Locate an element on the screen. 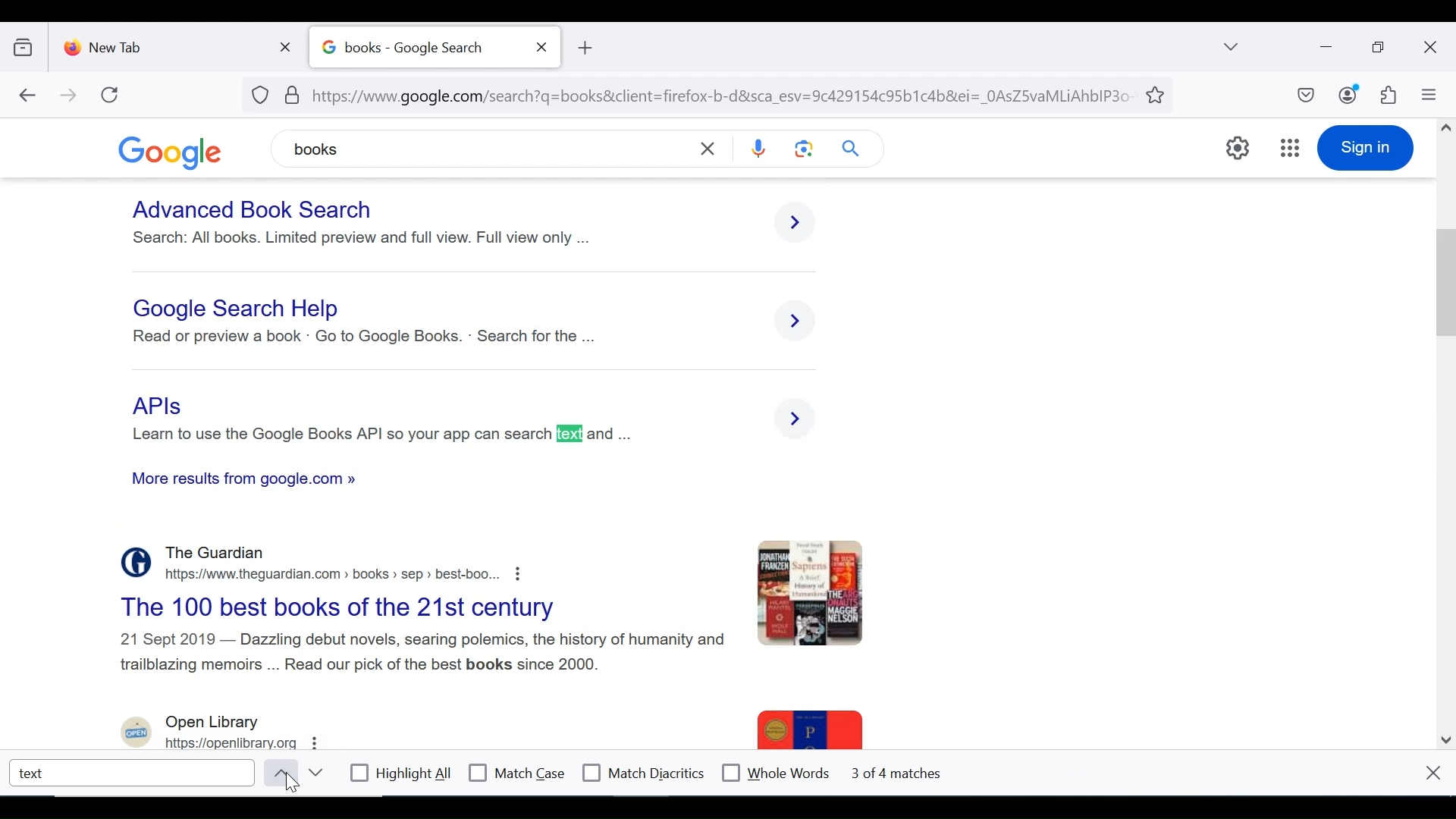 The height and width of the screenshot is (819, 1456).  is located at coordinates (428, 654).